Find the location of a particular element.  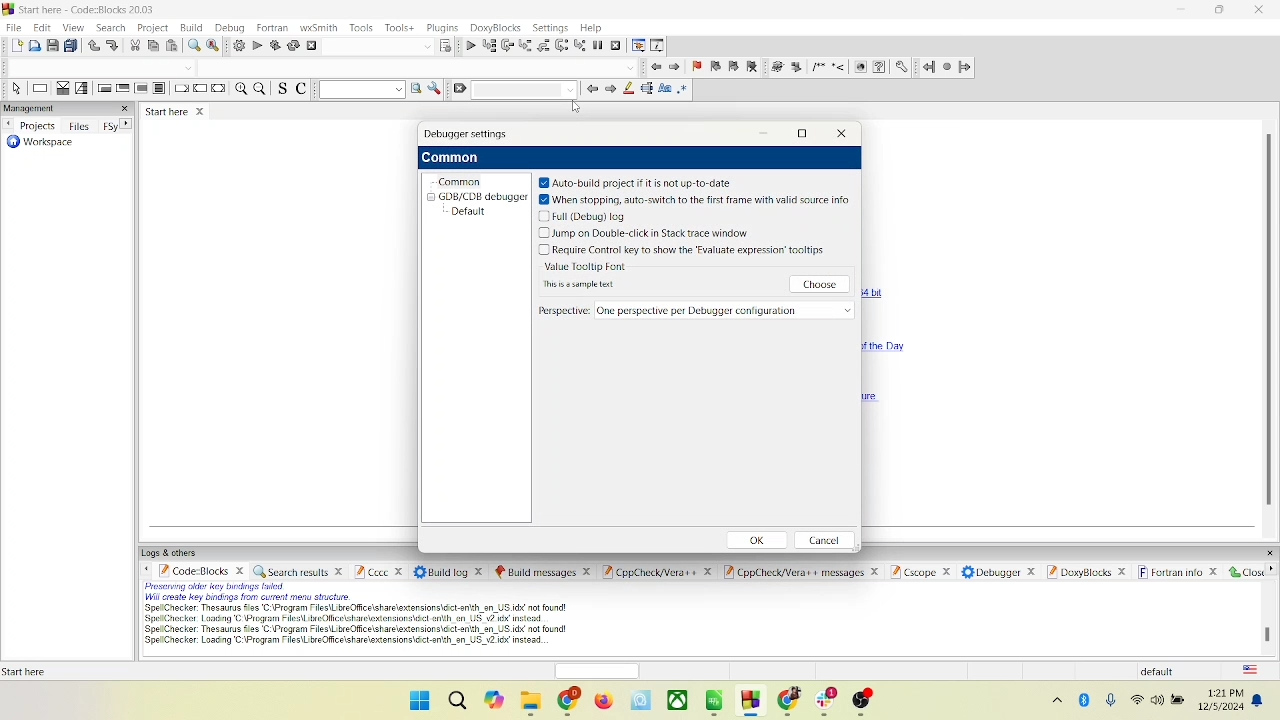

prev bookmark is located at coordinates (715, 67).